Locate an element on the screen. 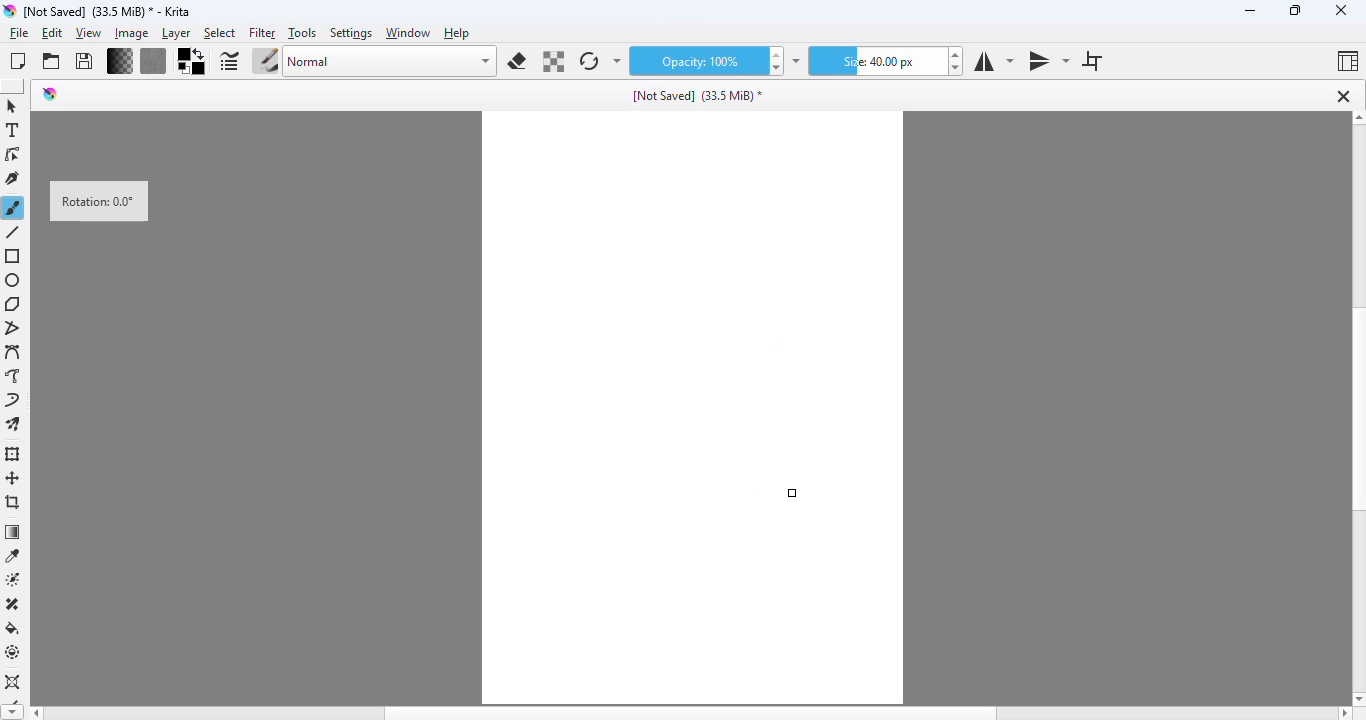 The height and width of the screenshot is (720, 1366). move a layer is located at coordinates (13, 479).